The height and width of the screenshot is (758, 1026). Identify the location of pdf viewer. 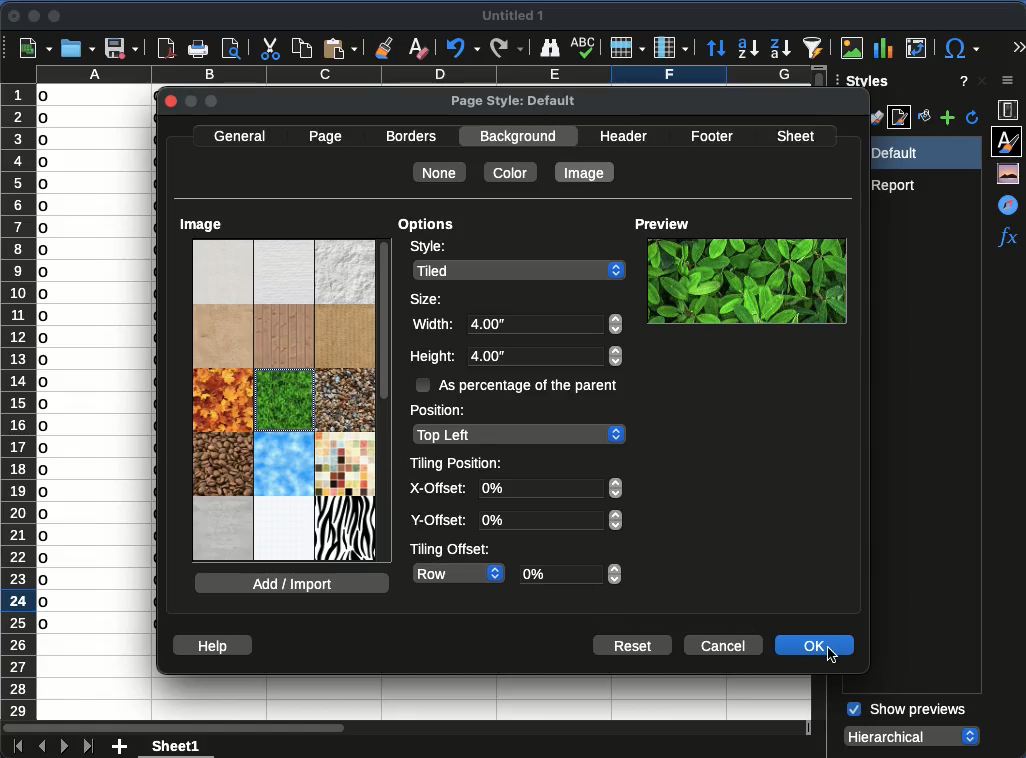
(166, 48).